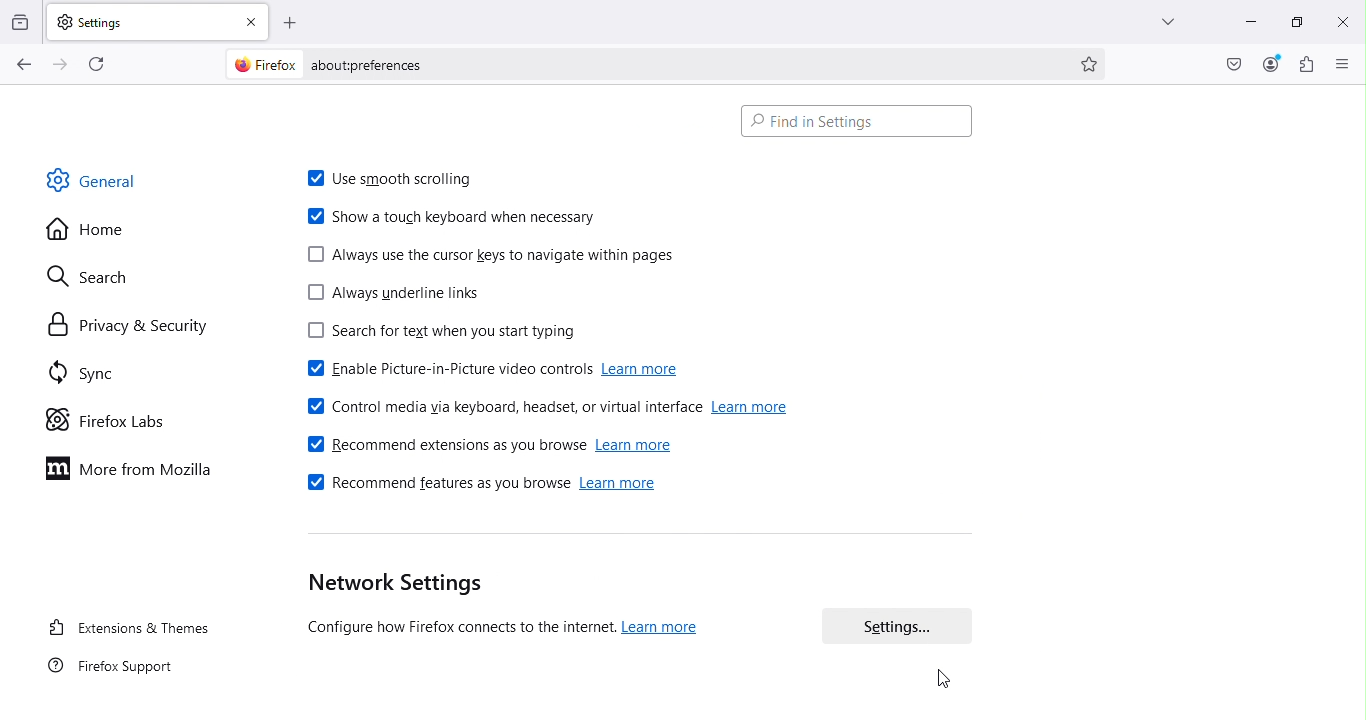 This screenshot has width=1366, height=720. I want to click on Scroll bar, so click(1358, 401).